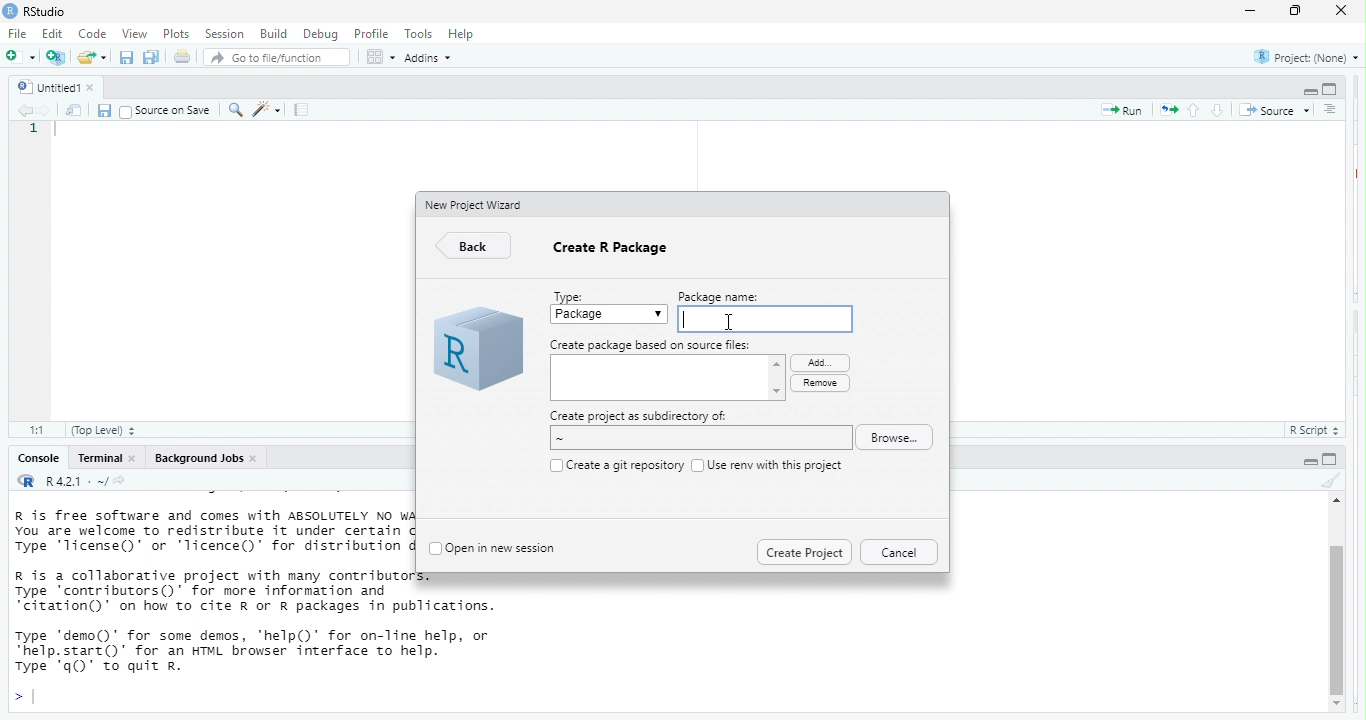 The height and width of the screenshot is (720, 1366). I want to click on checkbox, so click(696, 464).